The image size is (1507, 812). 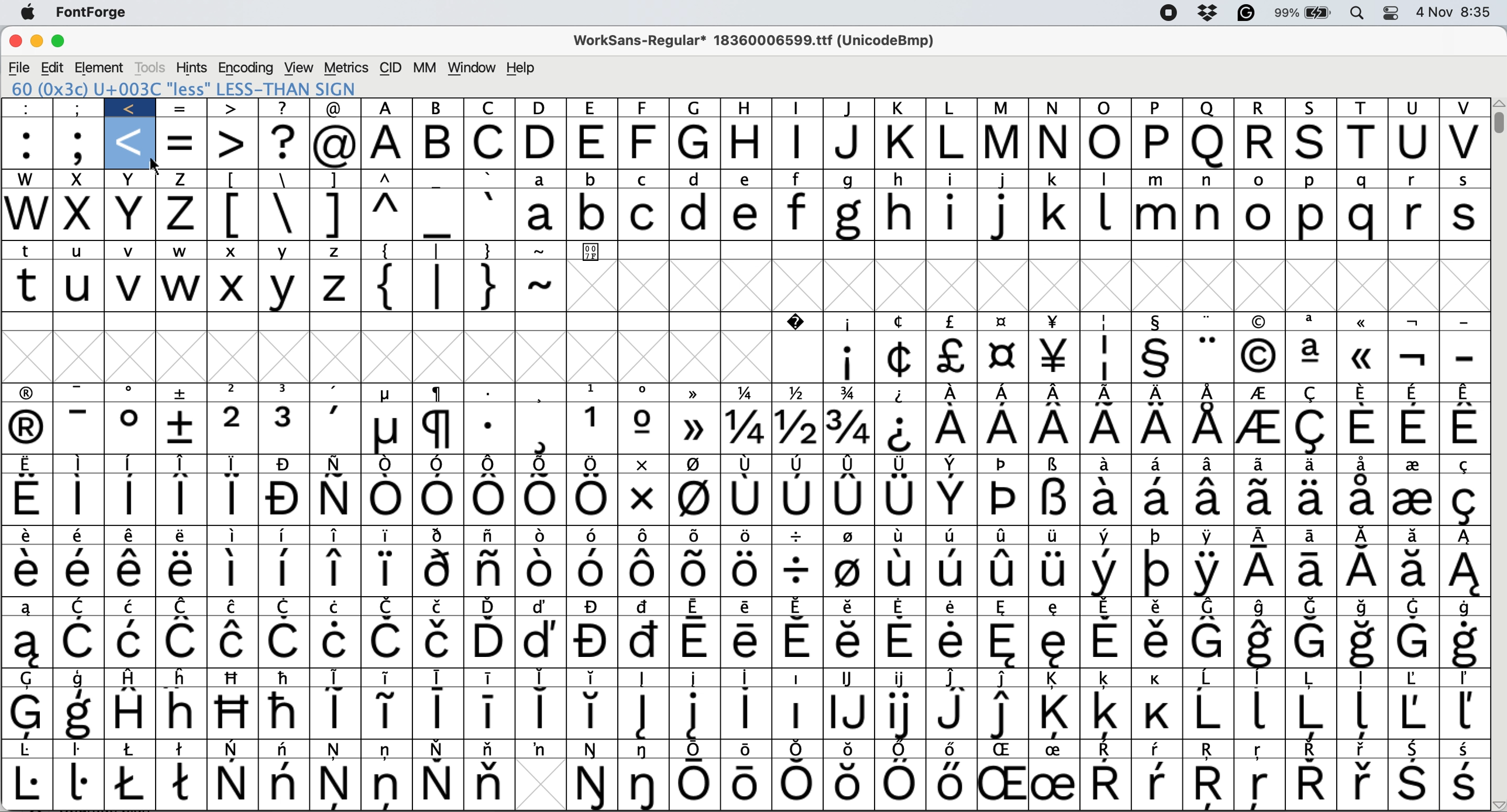 I want to click on Symbol, so click(x=746, y=391).